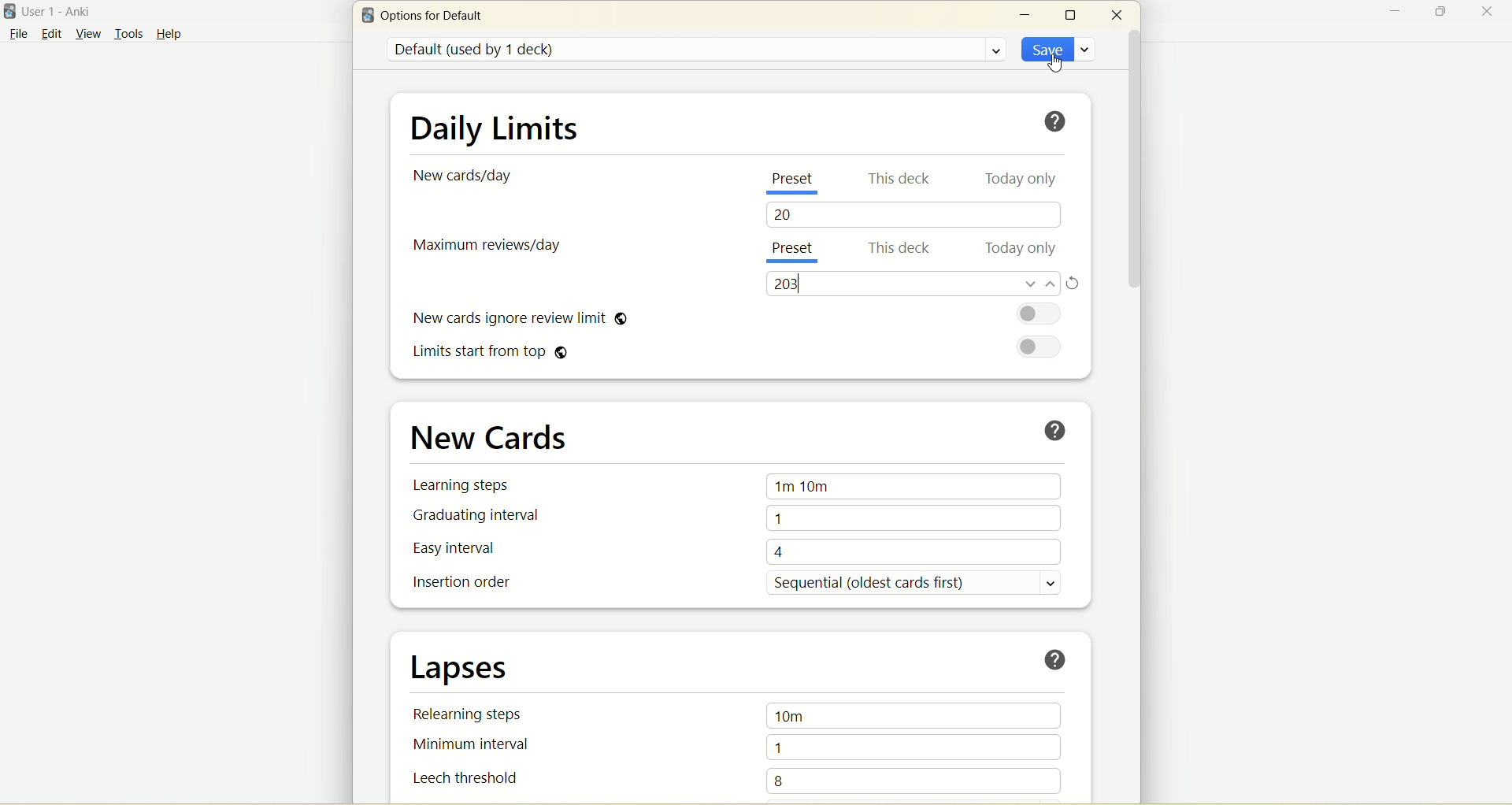 The height and width of the screenshot is (805, 1512). What do you see at coordinates (919, 782) in the screenshot?
I see `8` at bounding box center [919, 782].